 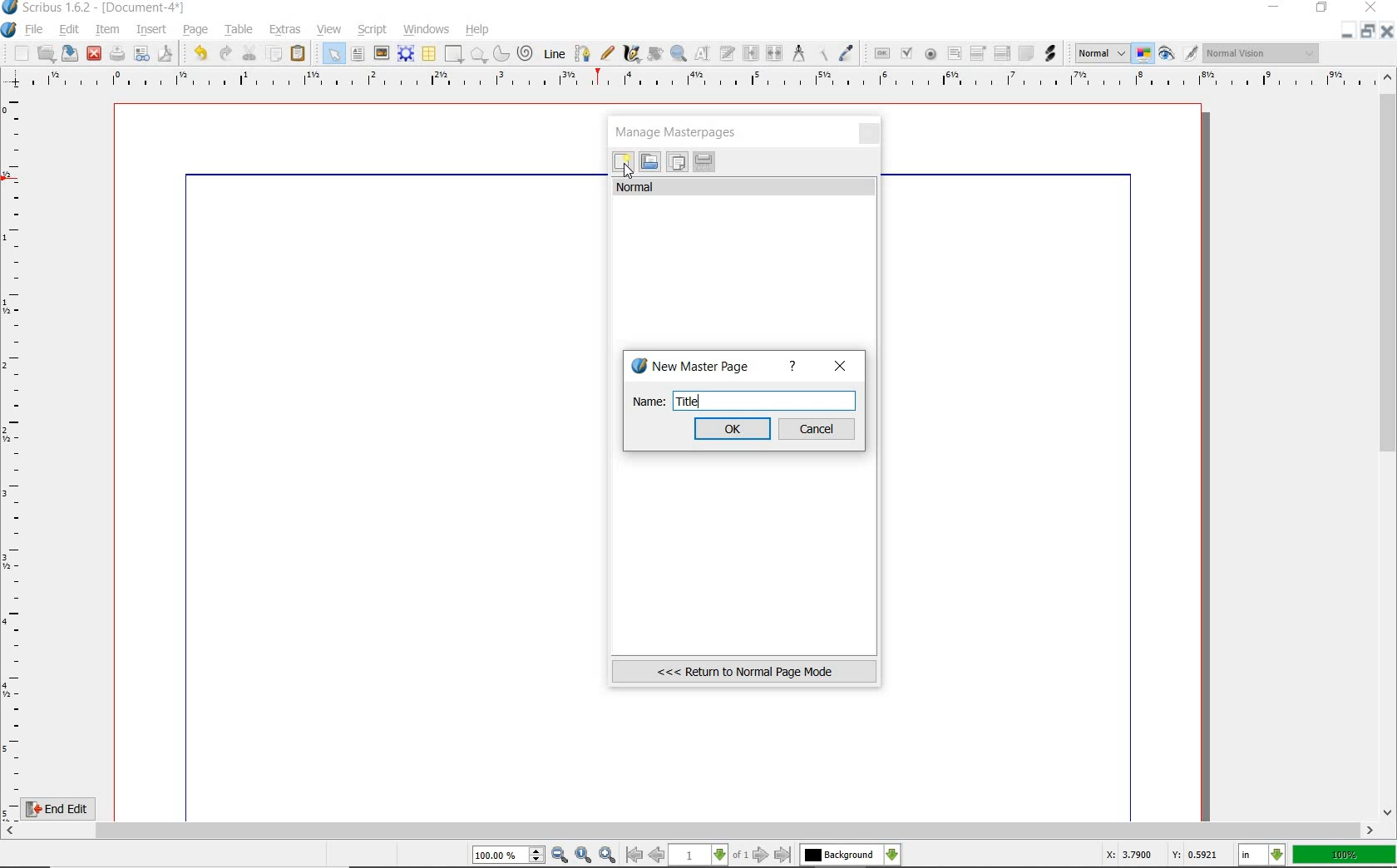 What do you see at coordinates (225, 52) in the screenshot?
I see `redo` at bounding box center [225, 52].